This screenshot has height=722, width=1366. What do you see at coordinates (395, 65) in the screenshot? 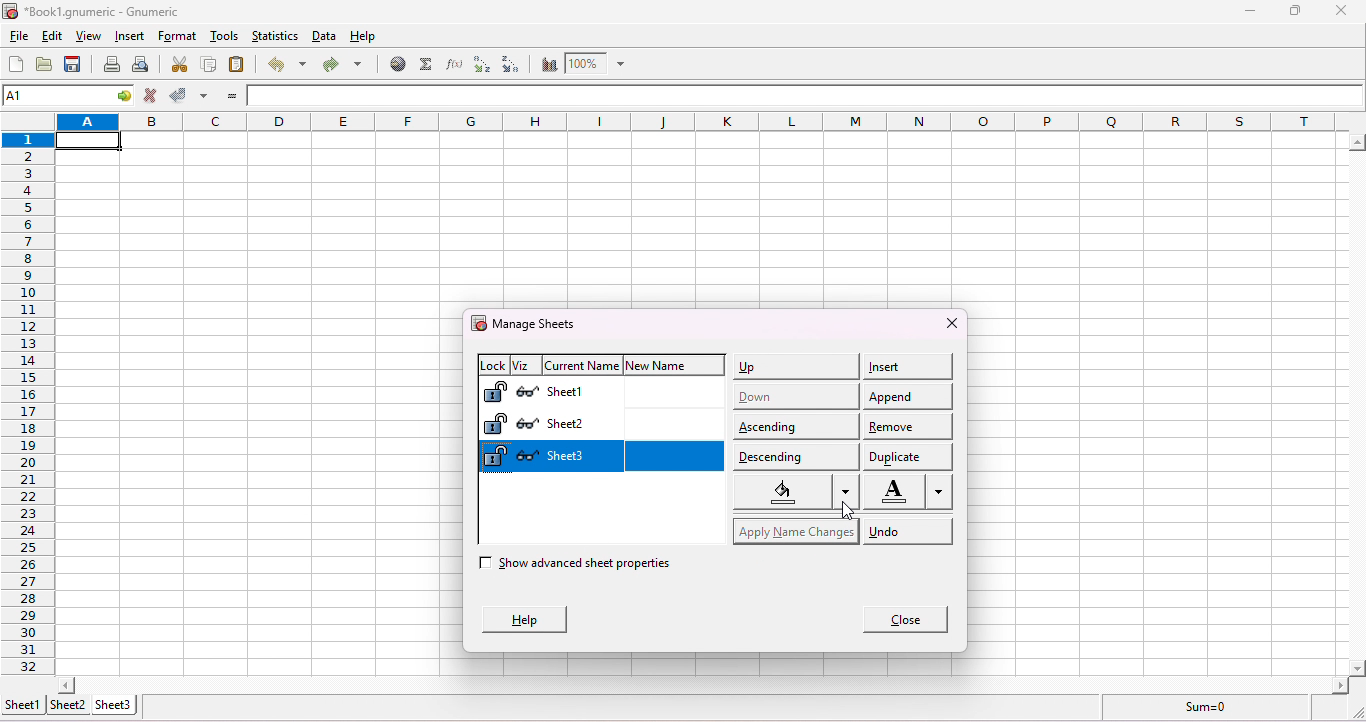
I see `hyperlink` at bounding box center [395, 65].